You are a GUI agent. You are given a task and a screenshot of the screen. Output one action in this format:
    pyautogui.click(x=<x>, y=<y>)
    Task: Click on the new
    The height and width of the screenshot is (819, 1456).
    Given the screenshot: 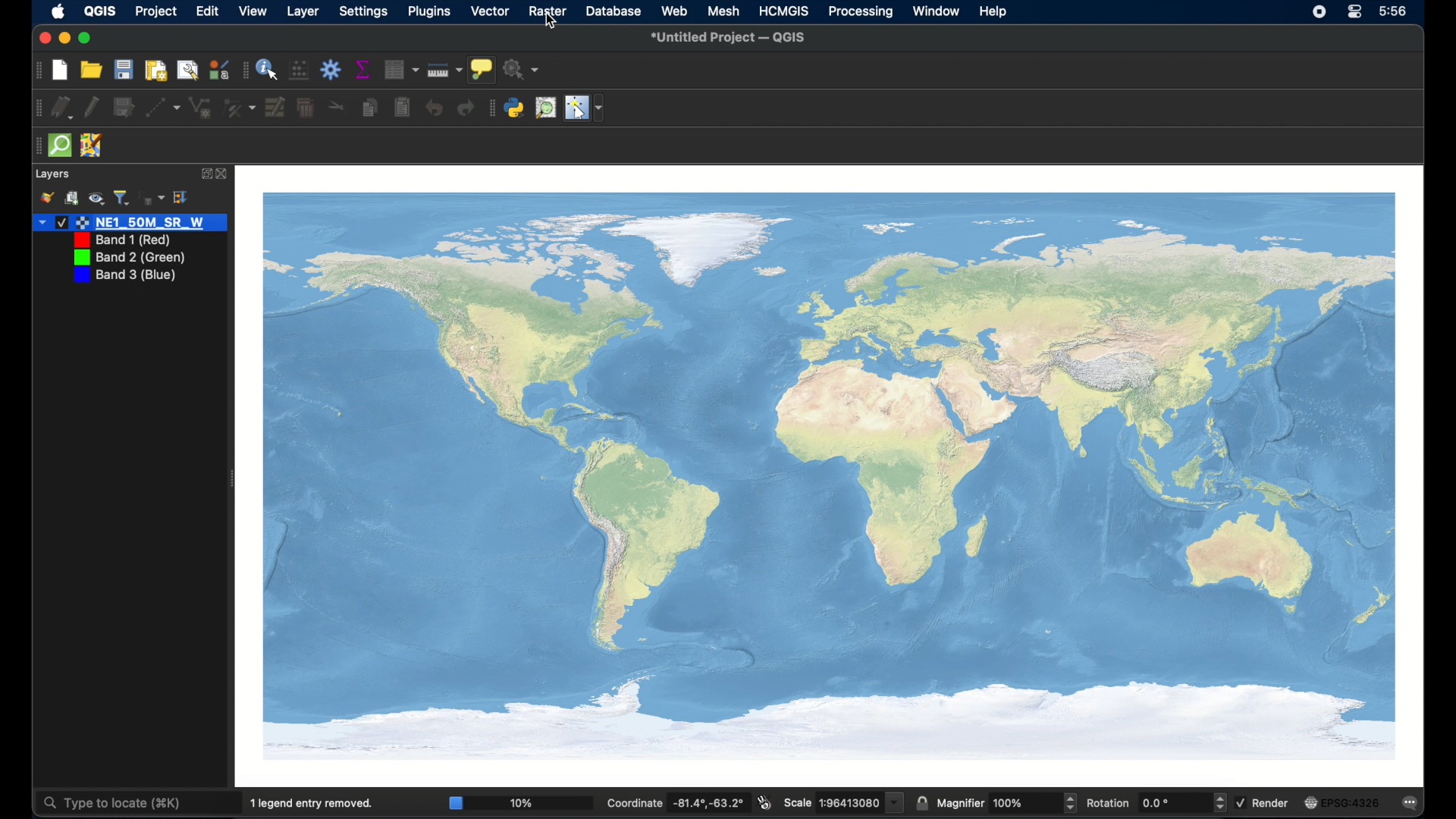 What is the action you would take?
    pyautogui.click(x=59, y=69)
    